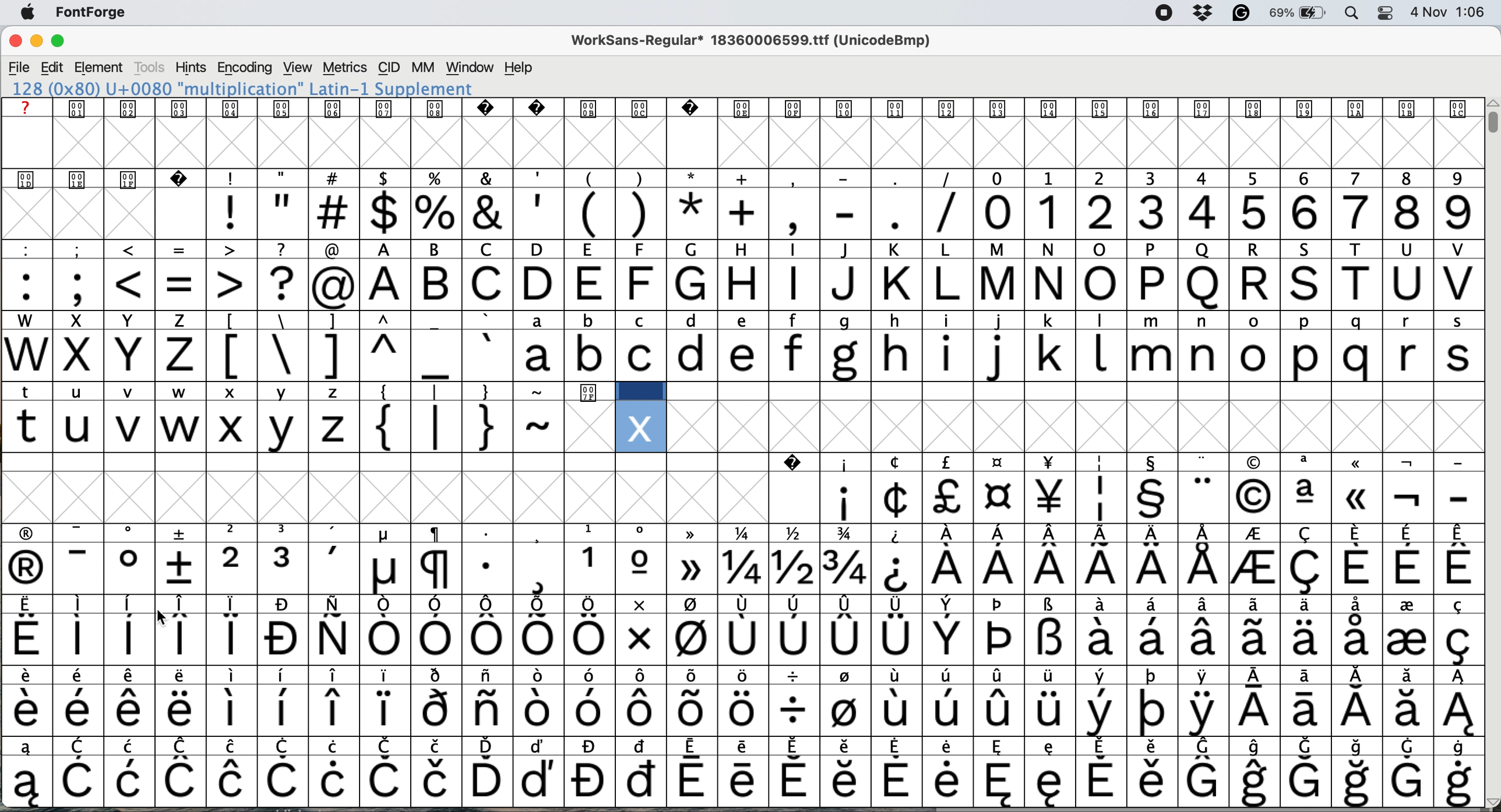 This screenshot has height=812, width=1501. I want to click on v z: lower case letters, so click(311, 427).